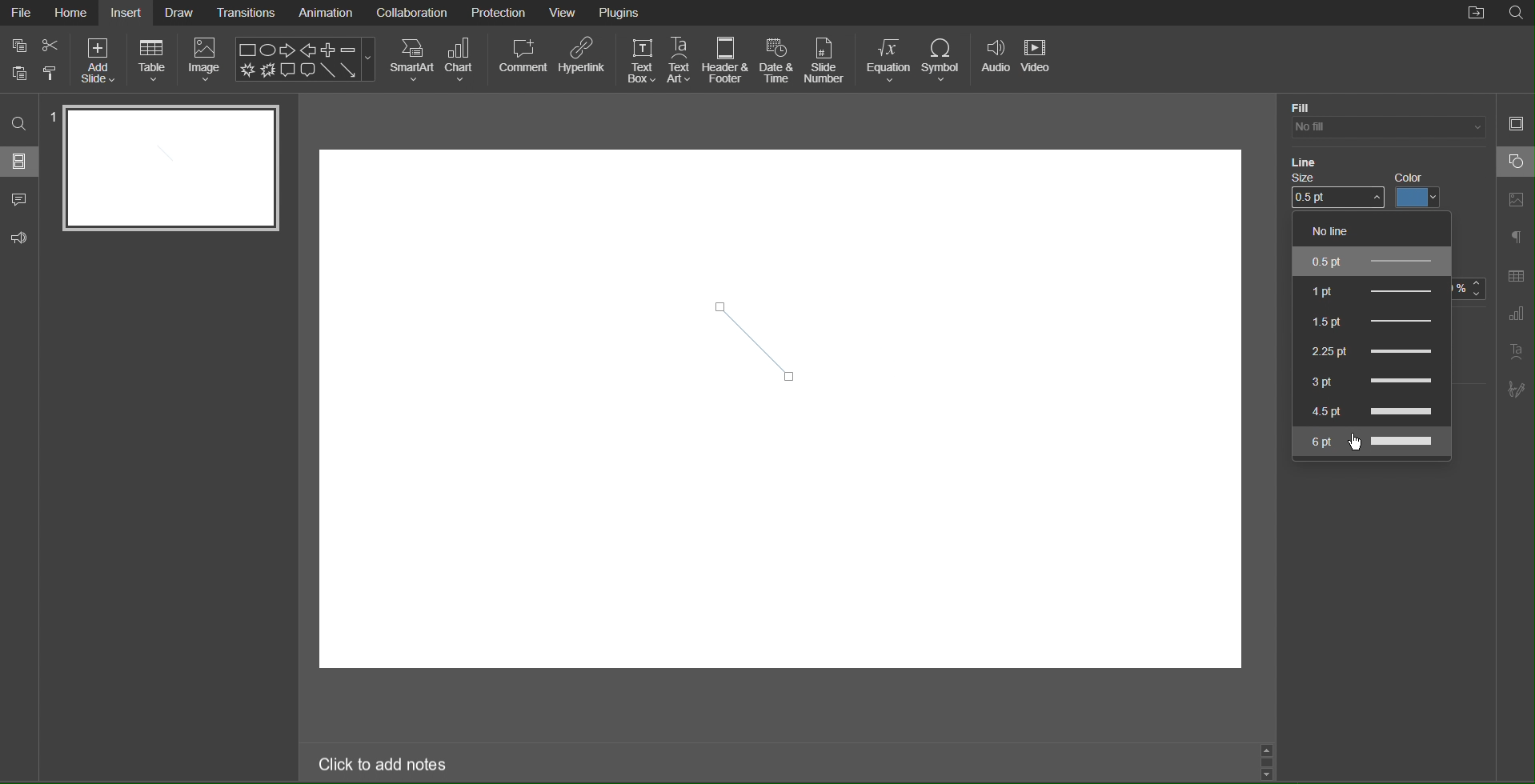  I want to click on Add Slide, so click(98, 61).